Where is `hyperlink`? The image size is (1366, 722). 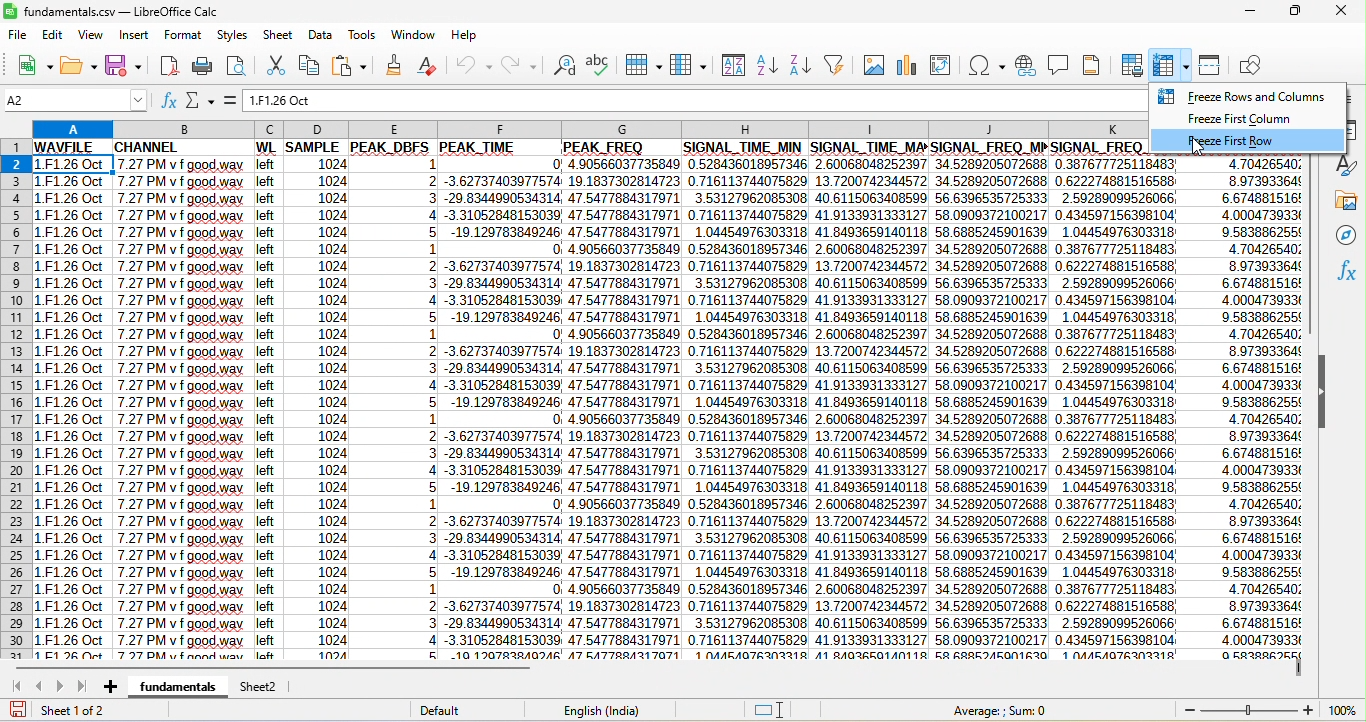
hyperlink is located at coordinates (1027, 64).